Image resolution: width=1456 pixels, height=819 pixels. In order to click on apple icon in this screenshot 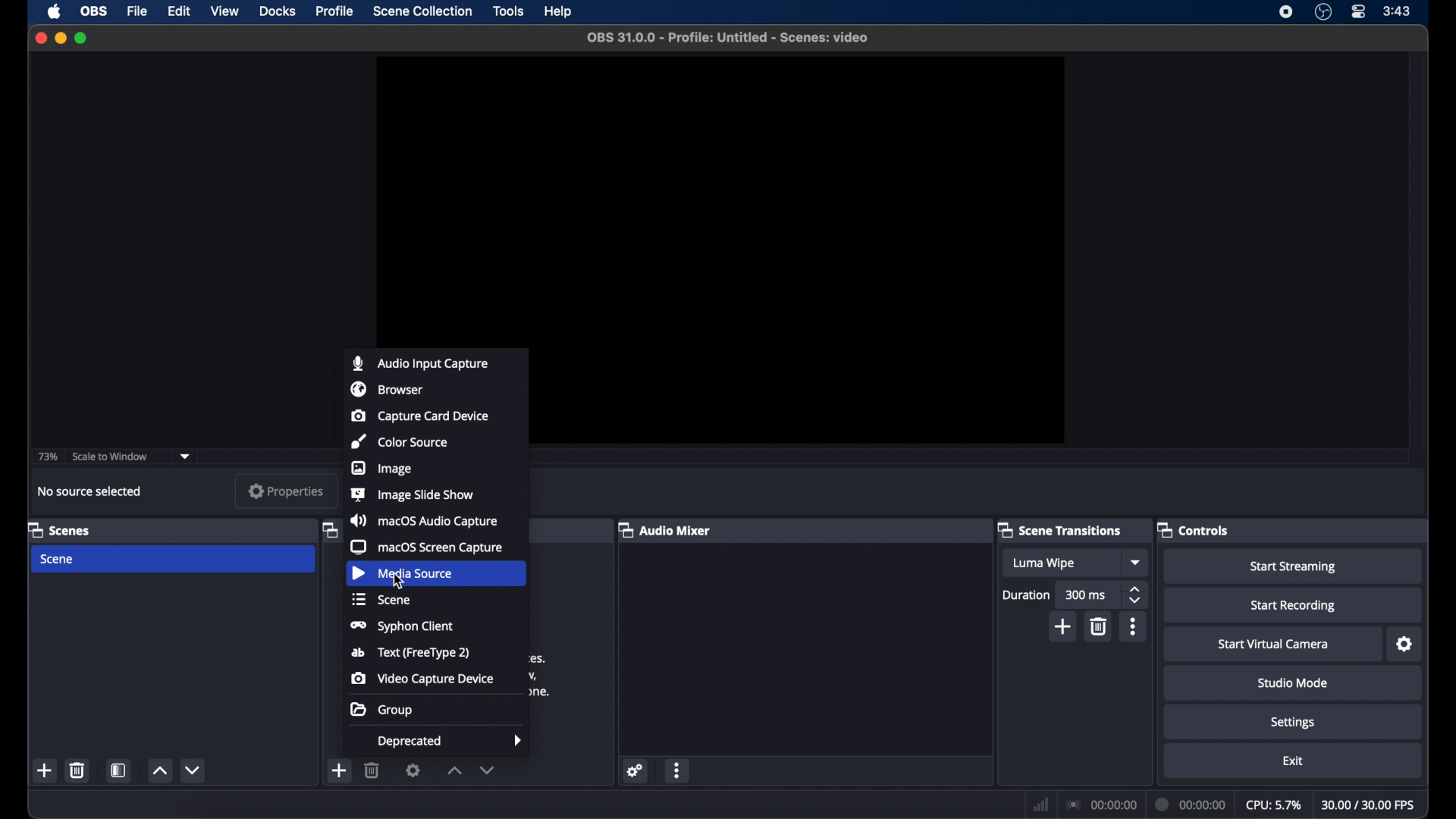, I will do `click(55, 11)`.